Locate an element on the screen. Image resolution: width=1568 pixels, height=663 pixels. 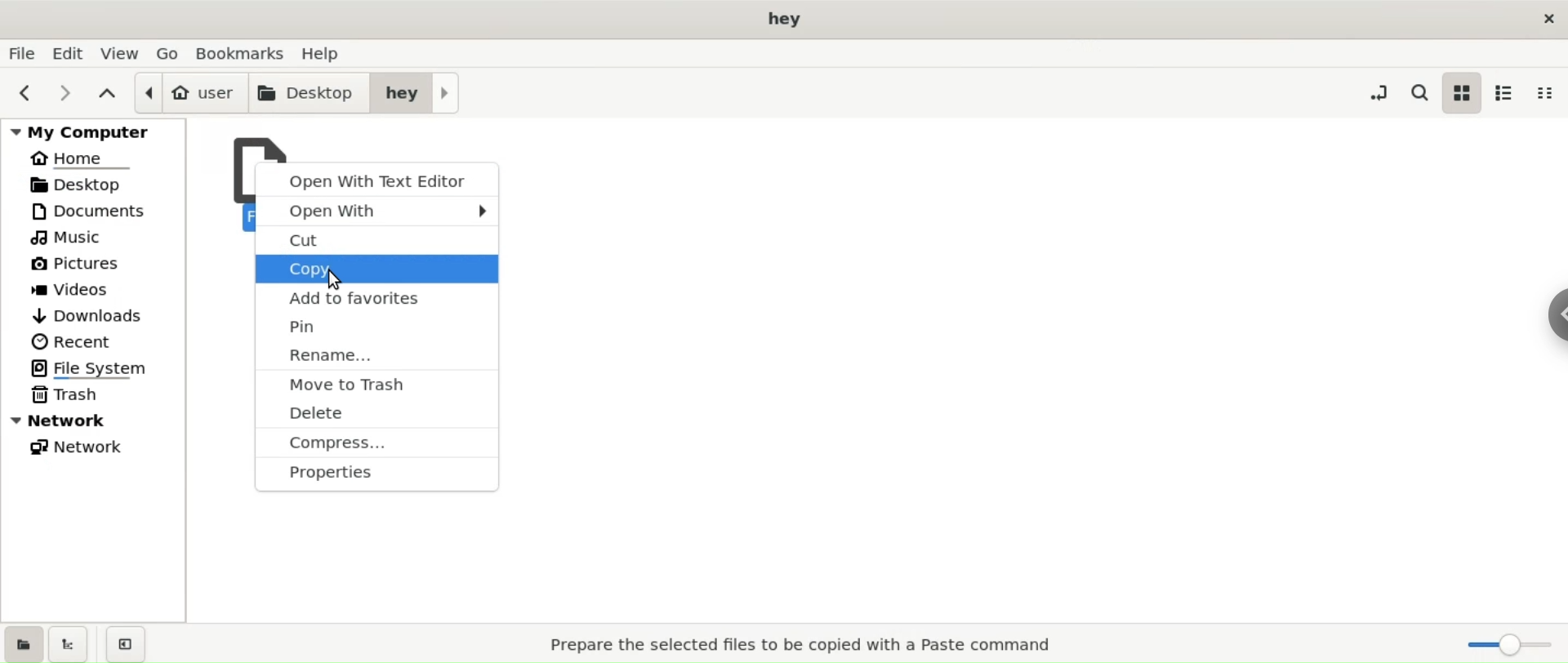
sidebar is located at coordinates (1540, 316).